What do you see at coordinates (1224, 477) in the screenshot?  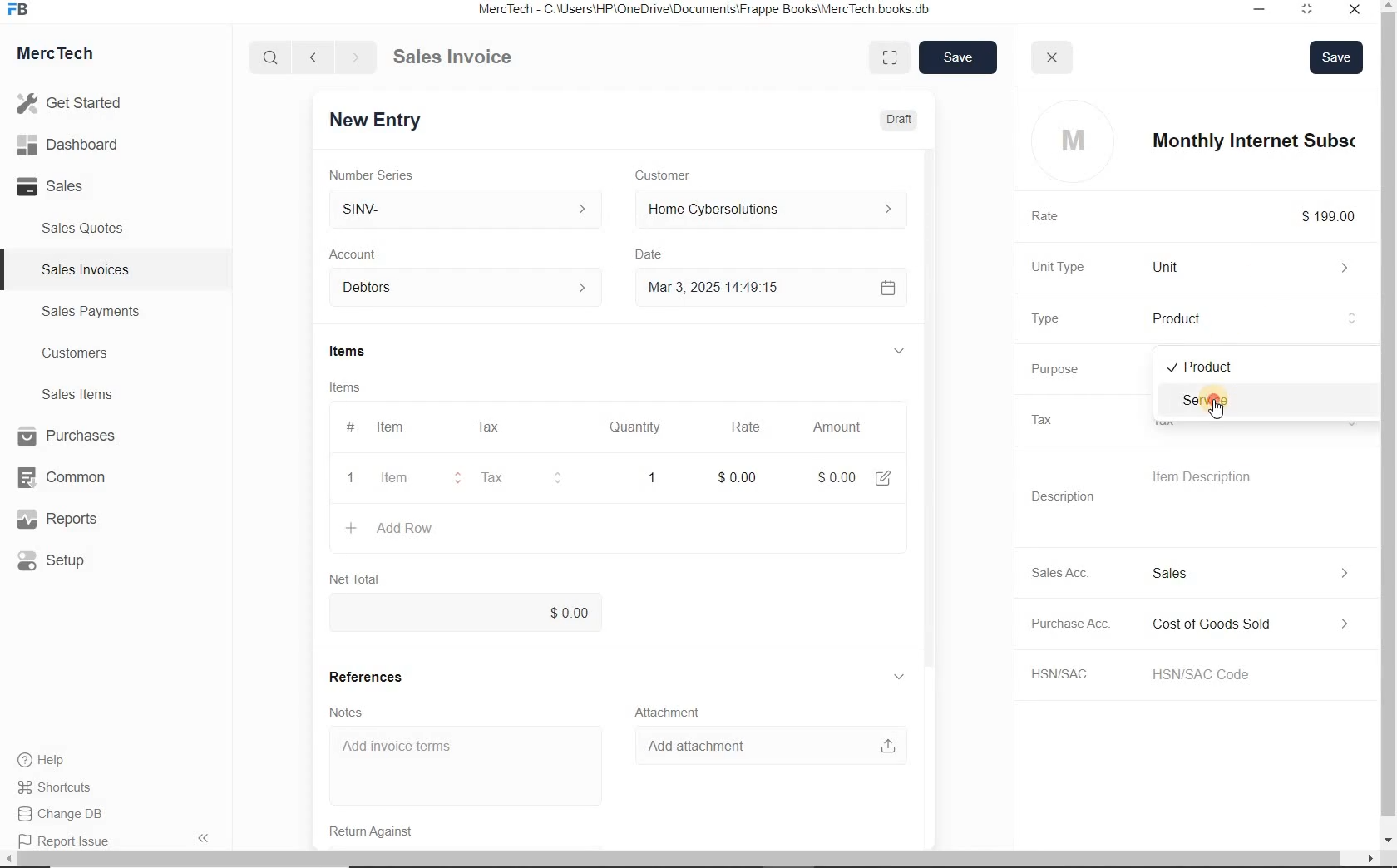 I see `Item Description` at bounding box center [1224, 477].